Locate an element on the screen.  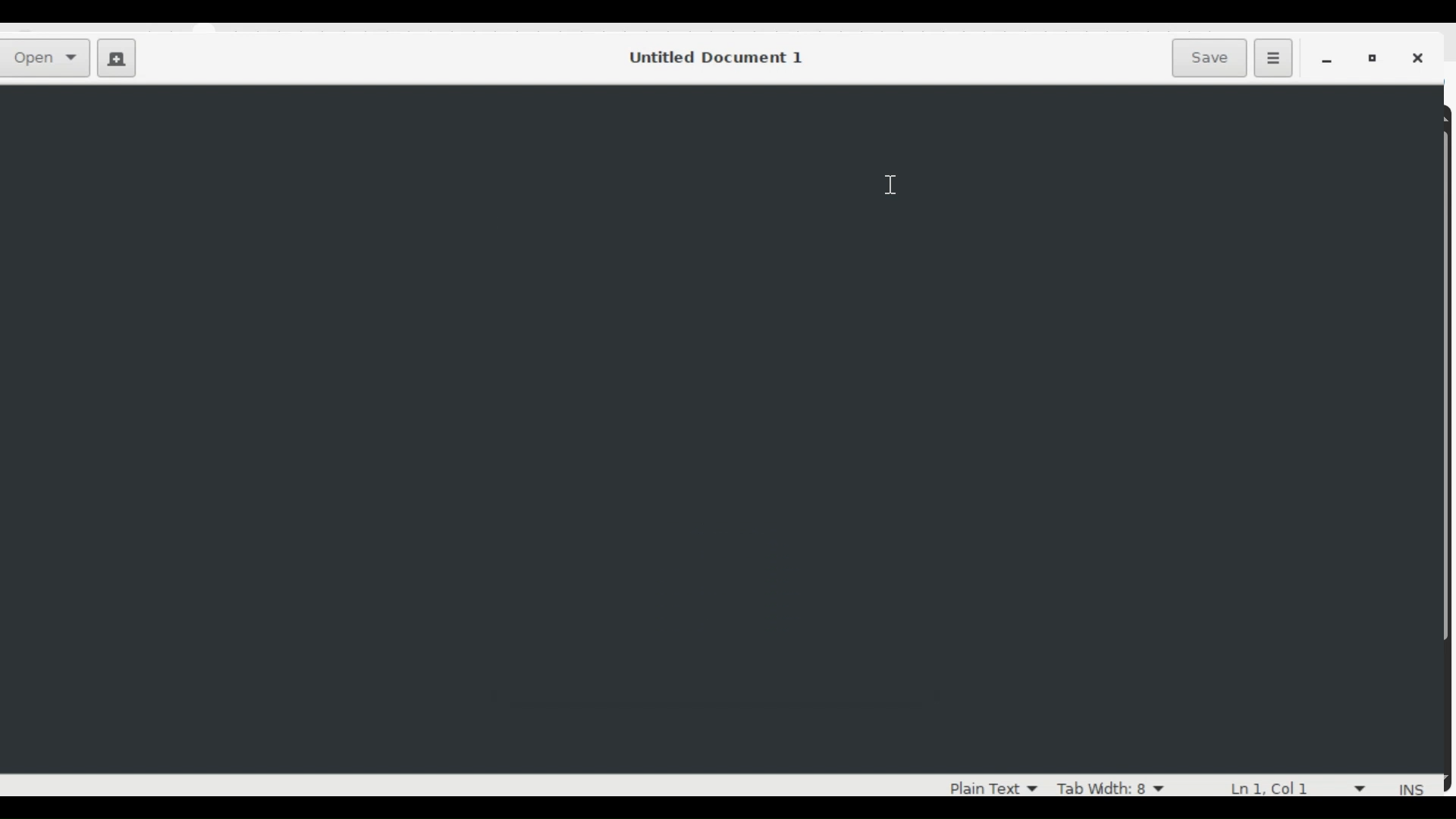
line and column numbers is located at coordinates (1302, 786).